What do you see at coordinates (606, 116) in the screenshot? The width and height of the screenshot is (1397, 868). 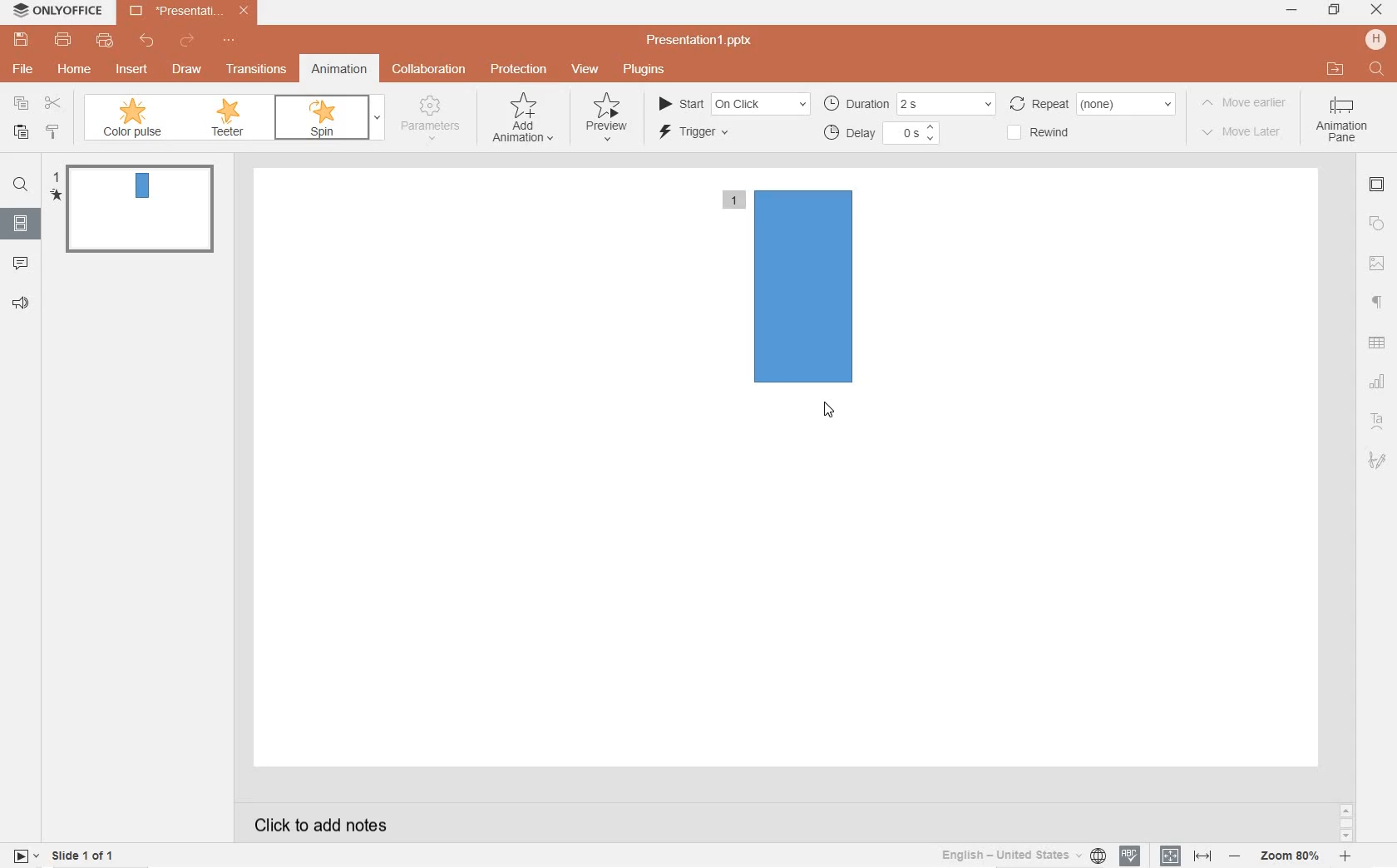 I see `preview` at bounding box center [606, 116].